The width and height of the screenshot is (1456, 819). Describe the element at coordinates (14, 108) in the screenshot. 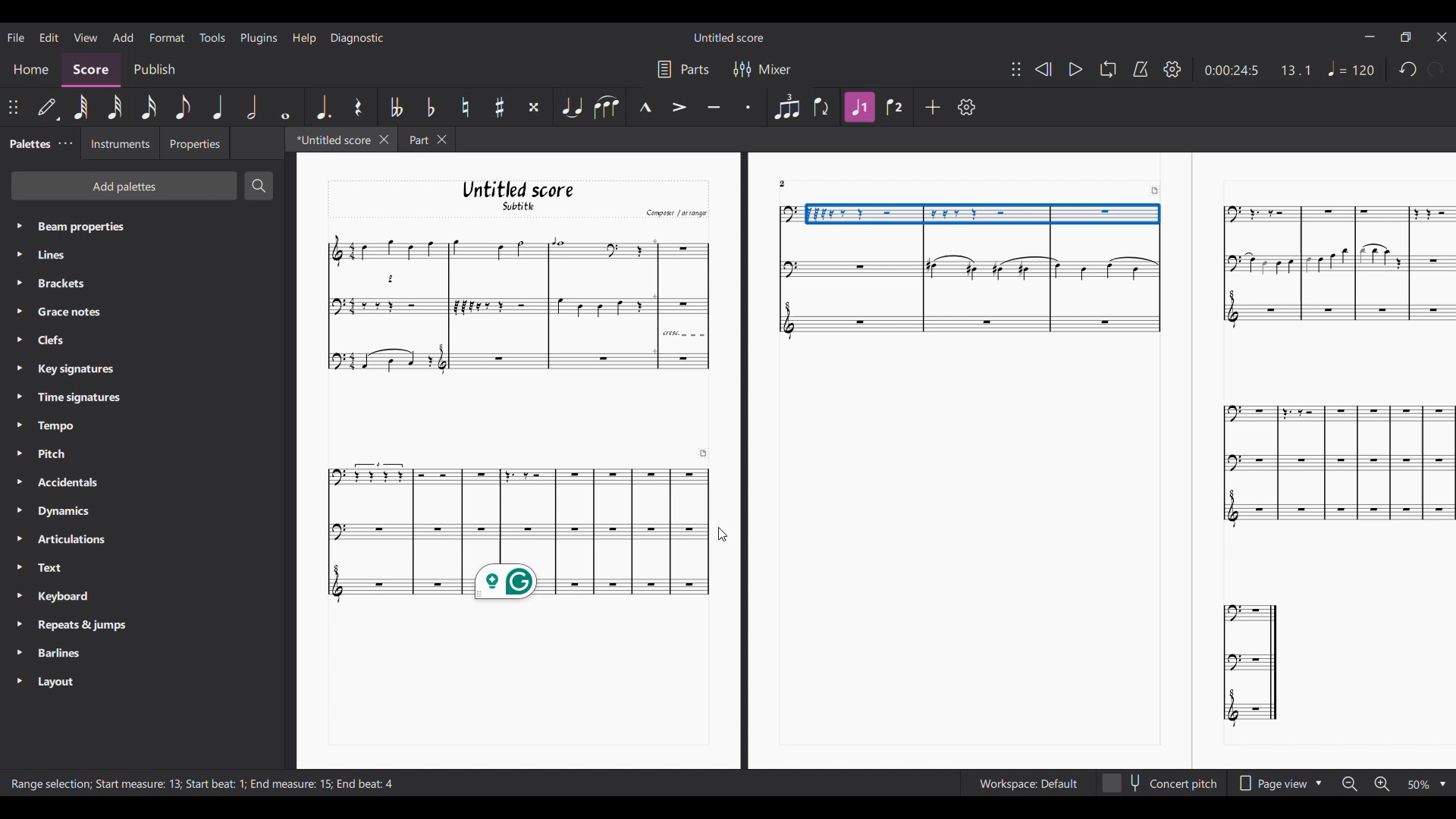

I see `Change position` at that location.